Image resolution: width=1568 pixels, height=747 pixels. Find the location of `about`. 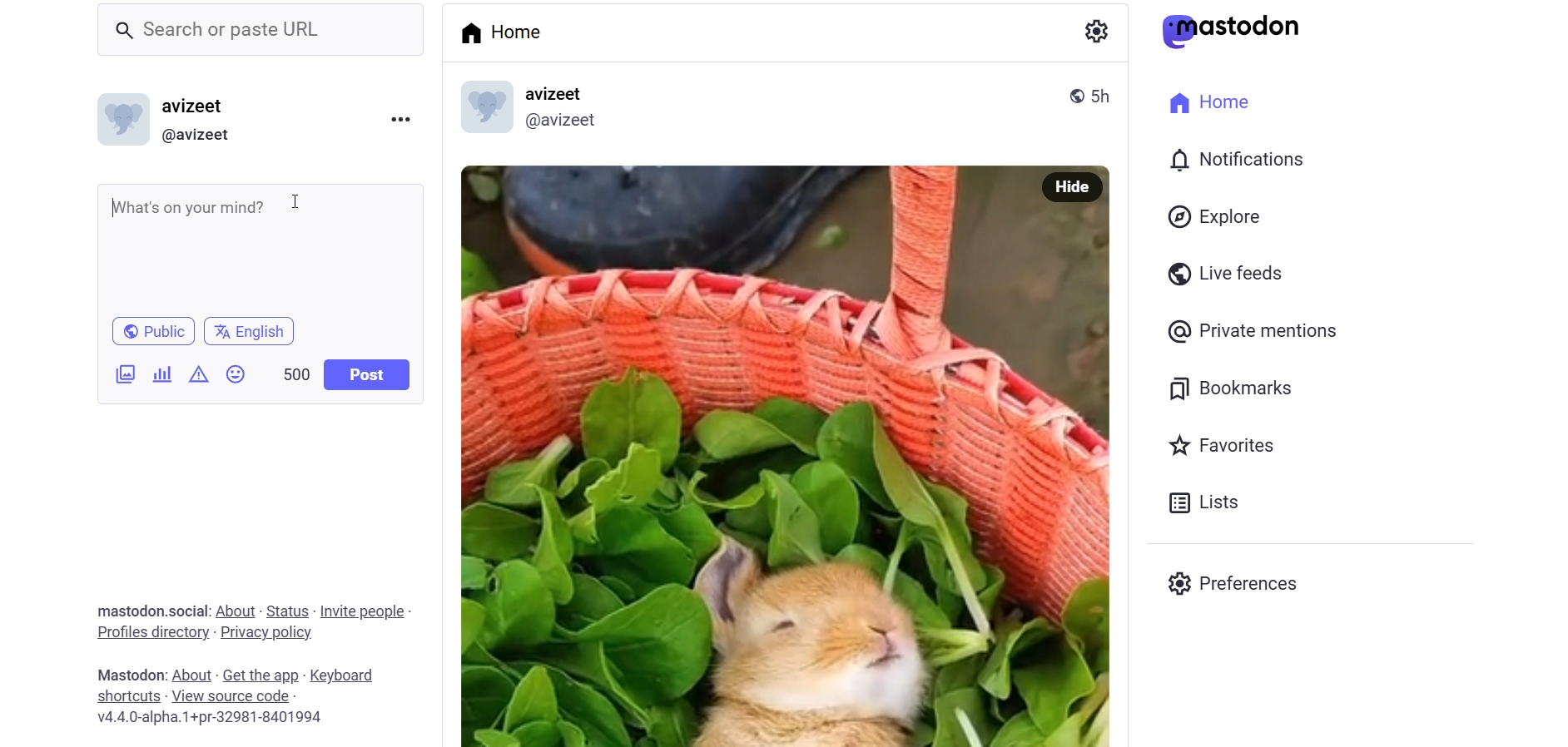

about is located at coordinates (192, 675).